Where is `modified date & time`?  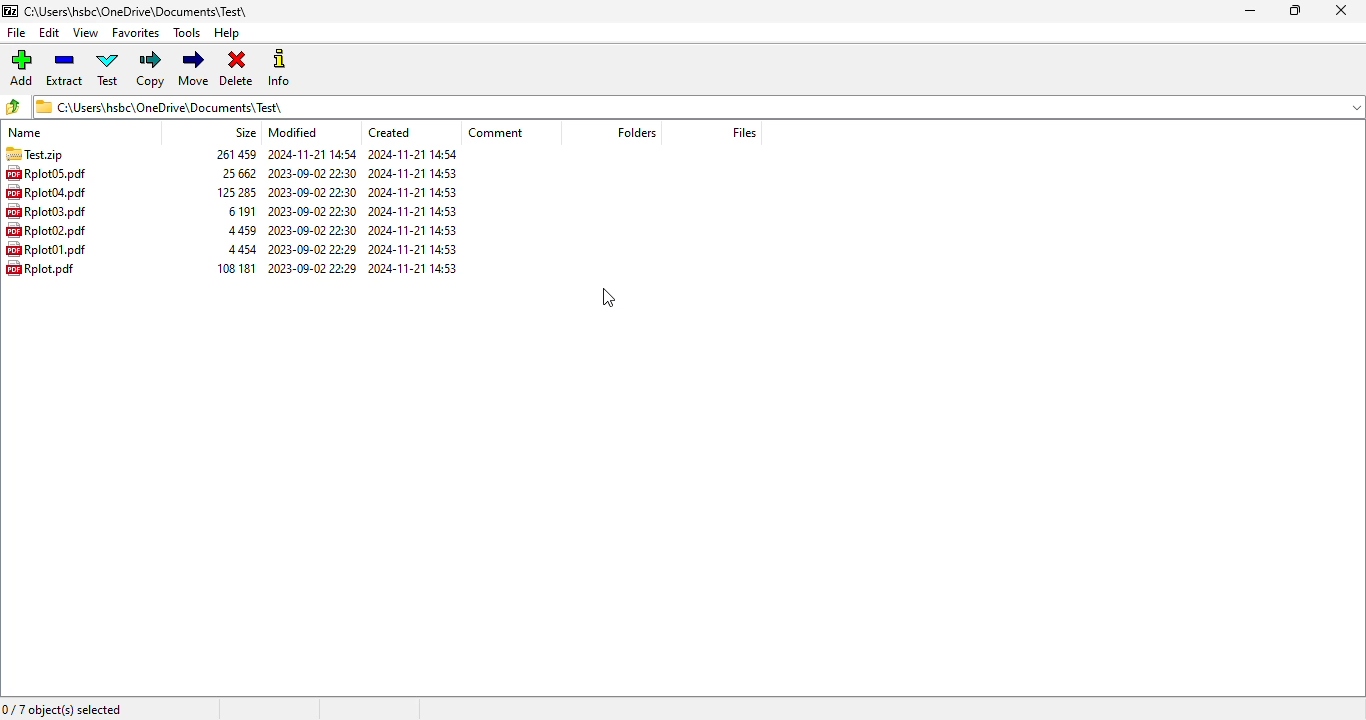 modified date & time is located at coordinates (314, 173).